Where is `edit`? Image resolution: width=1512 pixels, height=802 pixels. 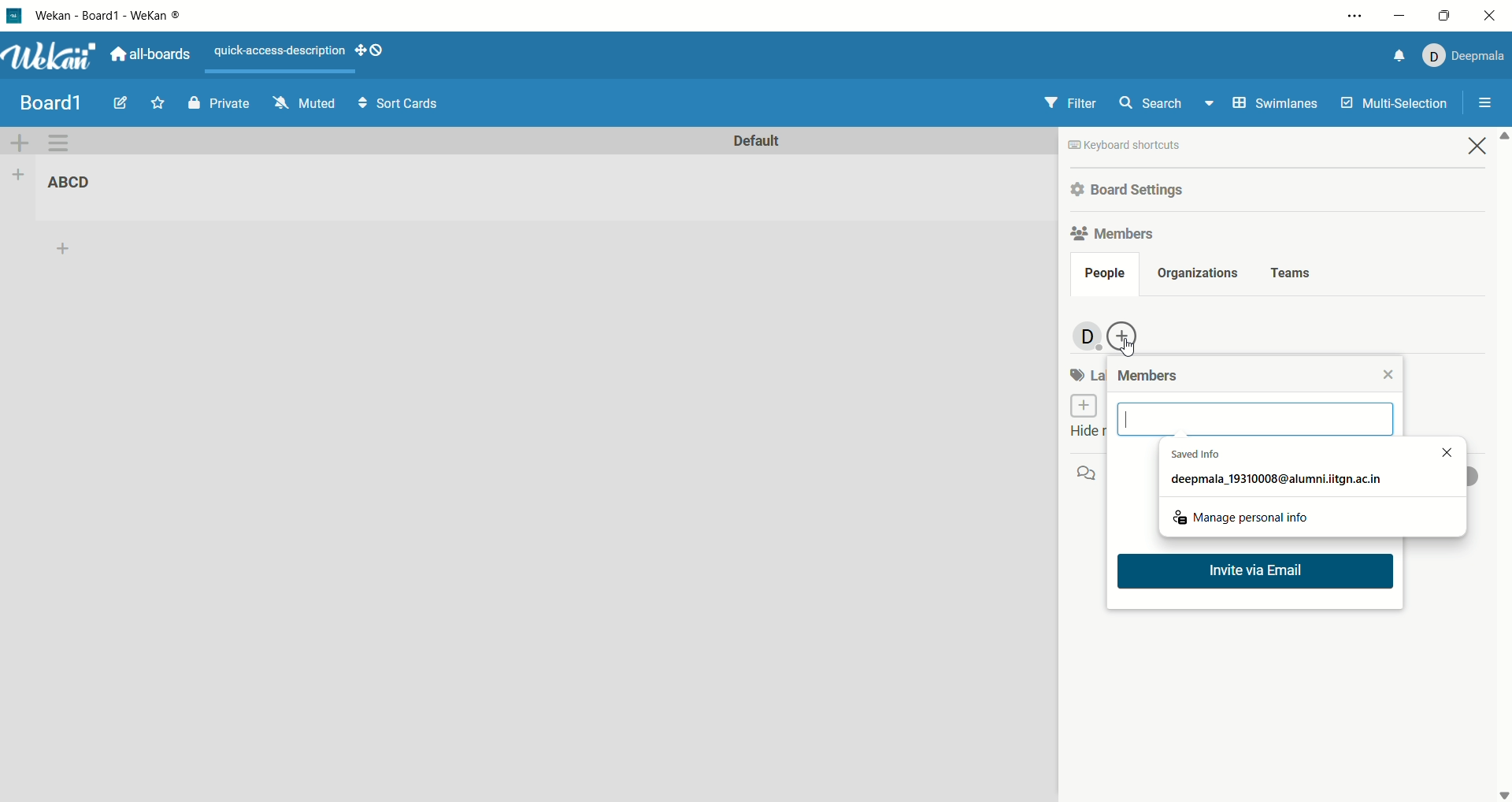
edit is located at coordinates (120, 102).